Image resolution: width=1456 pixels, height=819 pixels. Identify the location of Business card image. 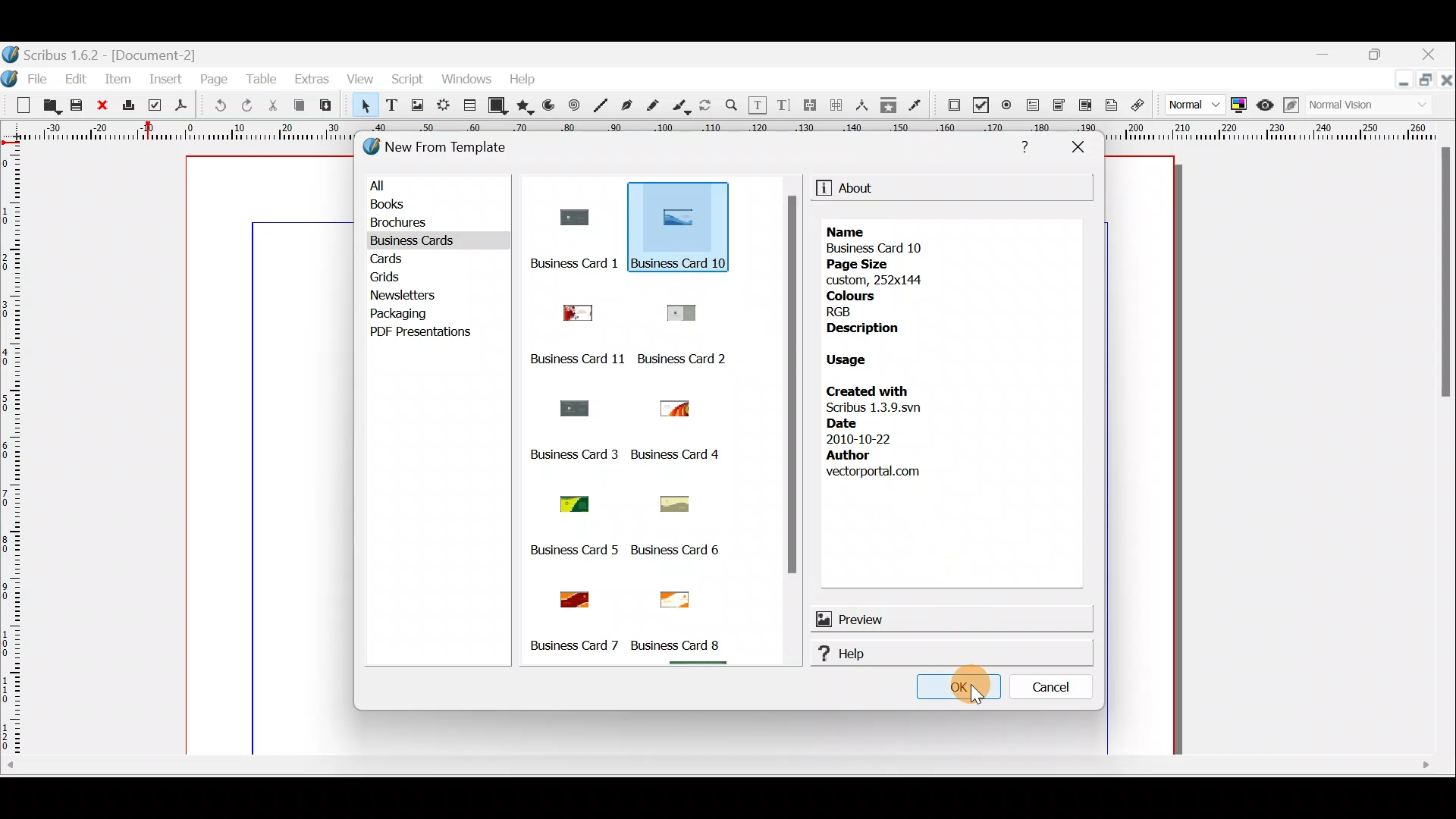
(664, 504).